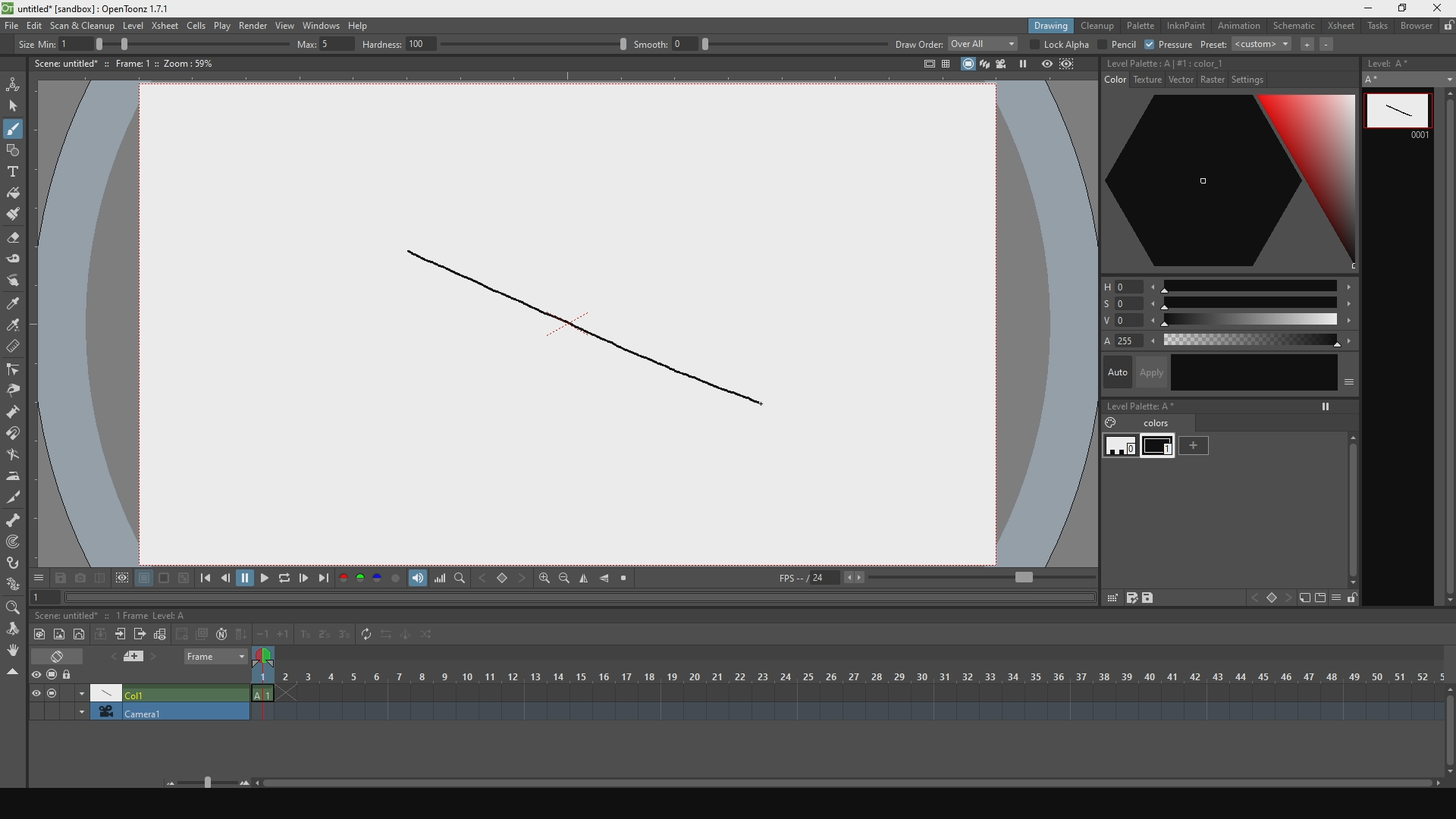 This screenshot has height=819, width=1456. What do you see at coordinates (56, 692) in the screenshot?
I see `stop` at bounding box center [56, 692].